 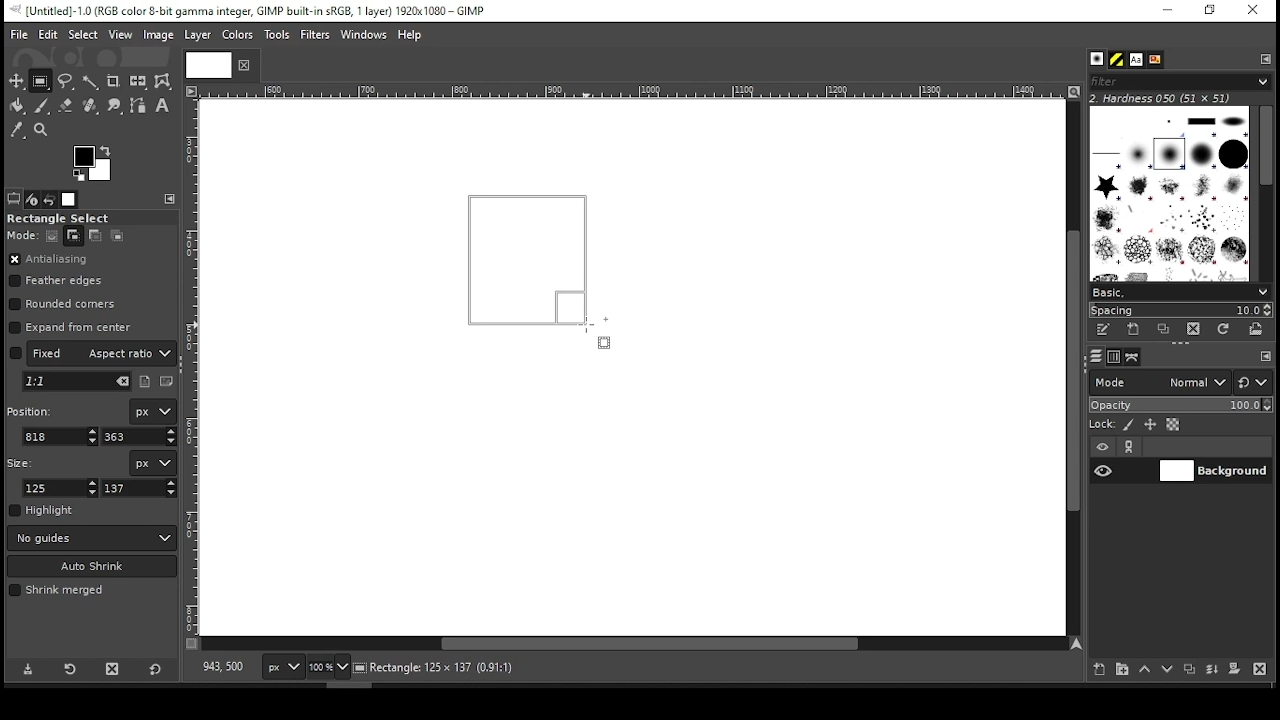 What do you see at coordinates (75, 218) in the screenshot?
I see `rectangle select` at bounding box center [75, 218].